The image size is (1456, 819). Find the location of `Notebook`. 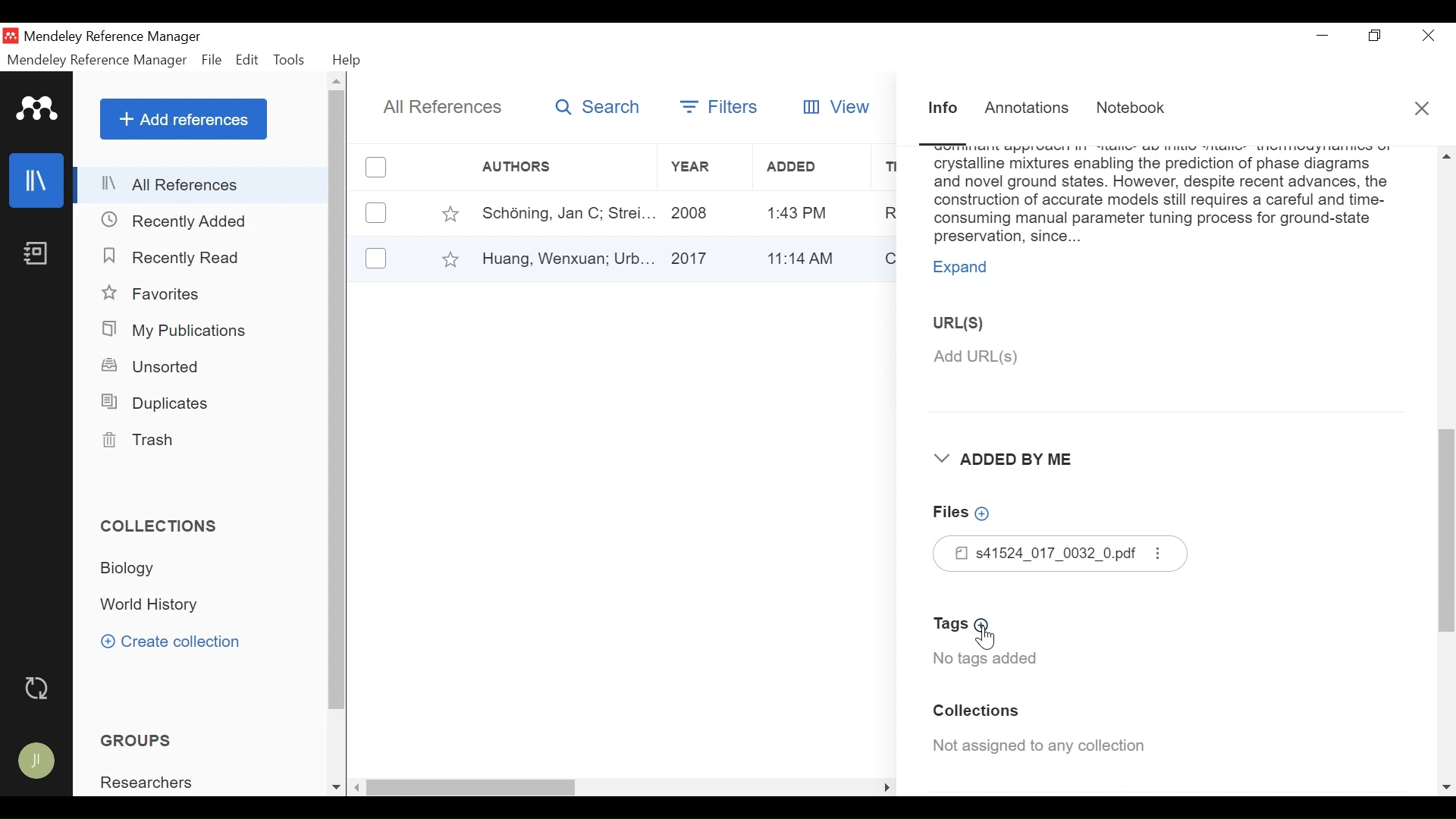

Notebook is located at coordinates (36, 253).